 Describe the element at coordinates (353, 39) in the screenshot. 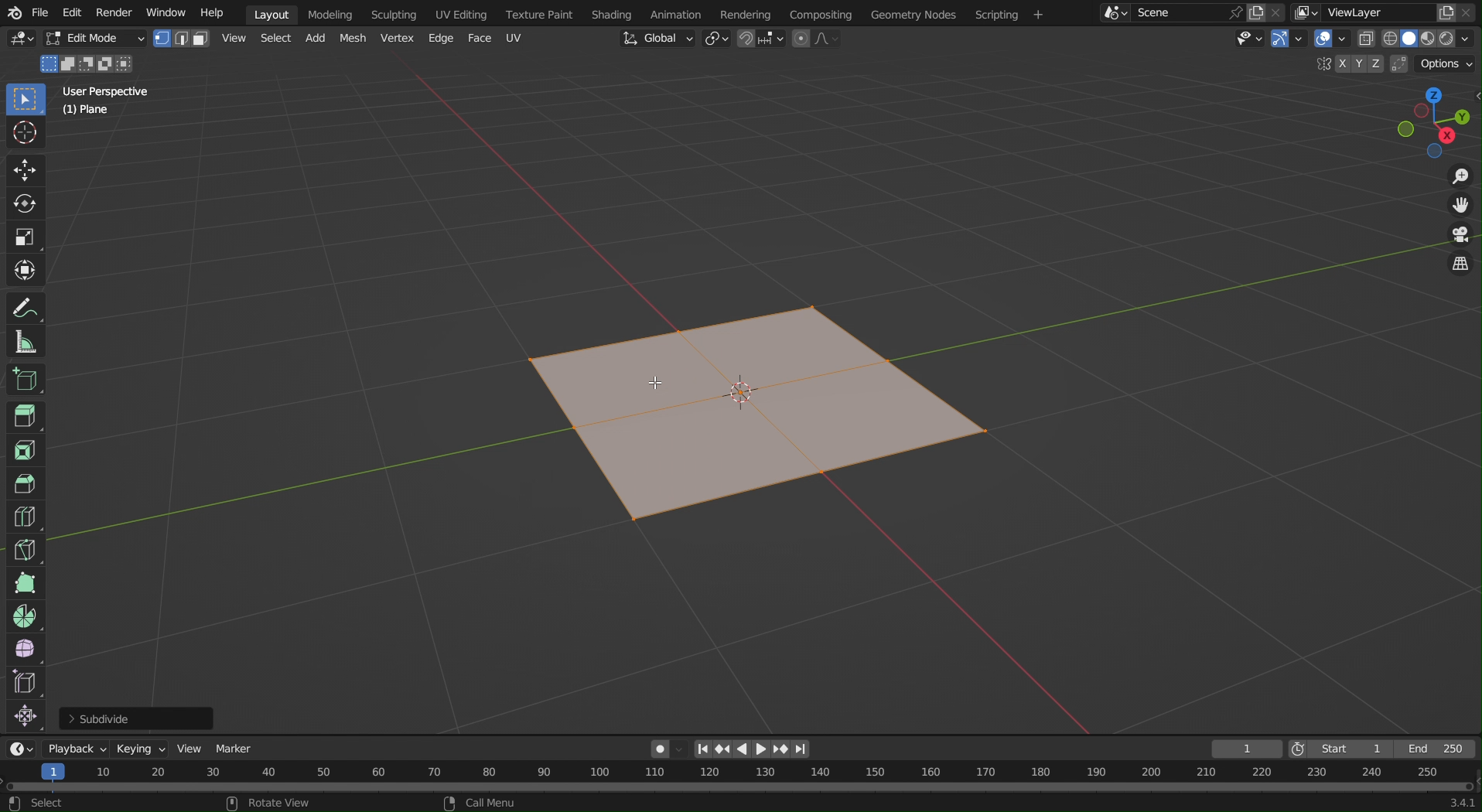

I see `Mesh` at that location.